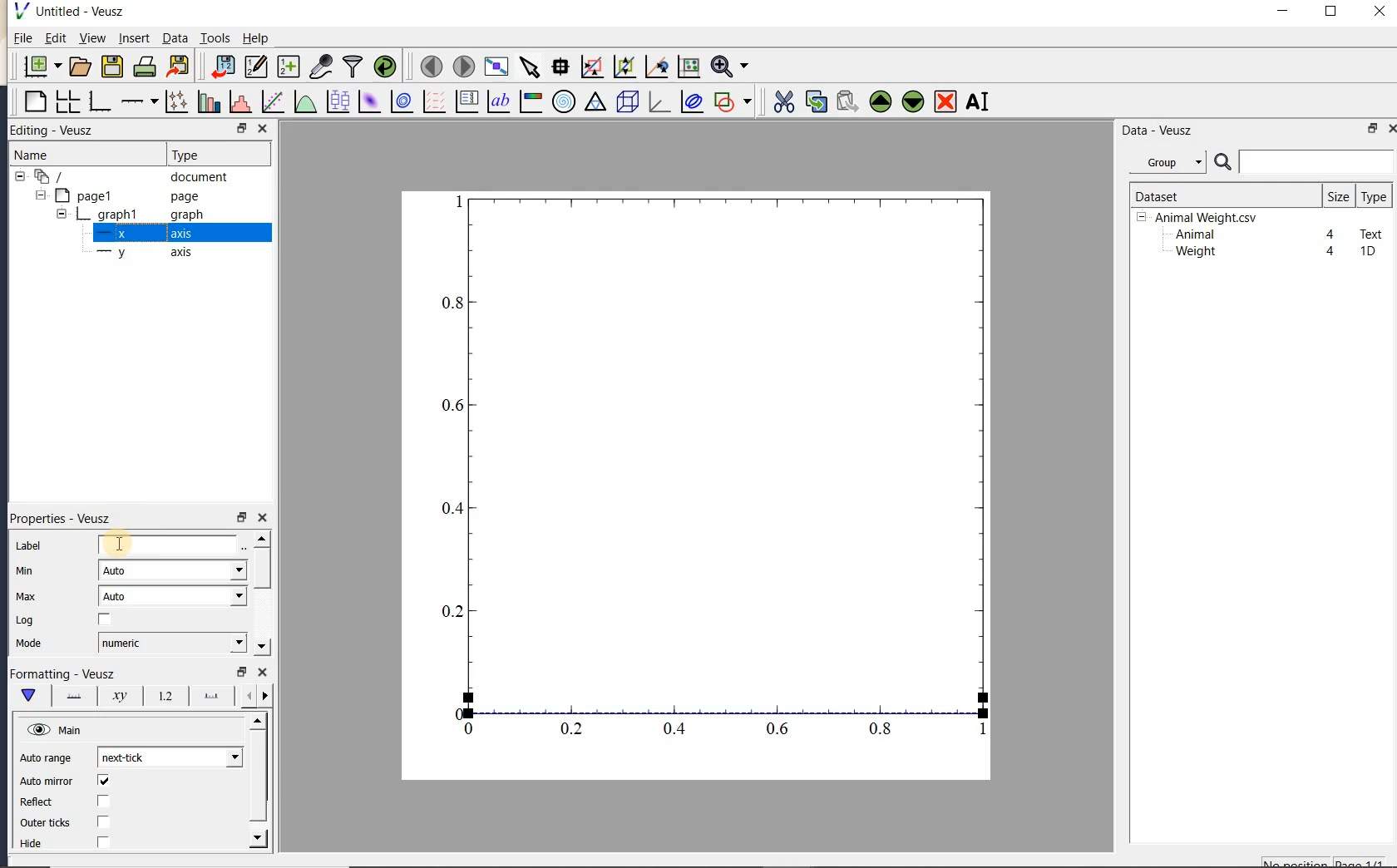 This screenshot has height=868, width=1397. Describe the element at coordinates (428, 65) in the screenshot. I see `move to the previous page` at that location.